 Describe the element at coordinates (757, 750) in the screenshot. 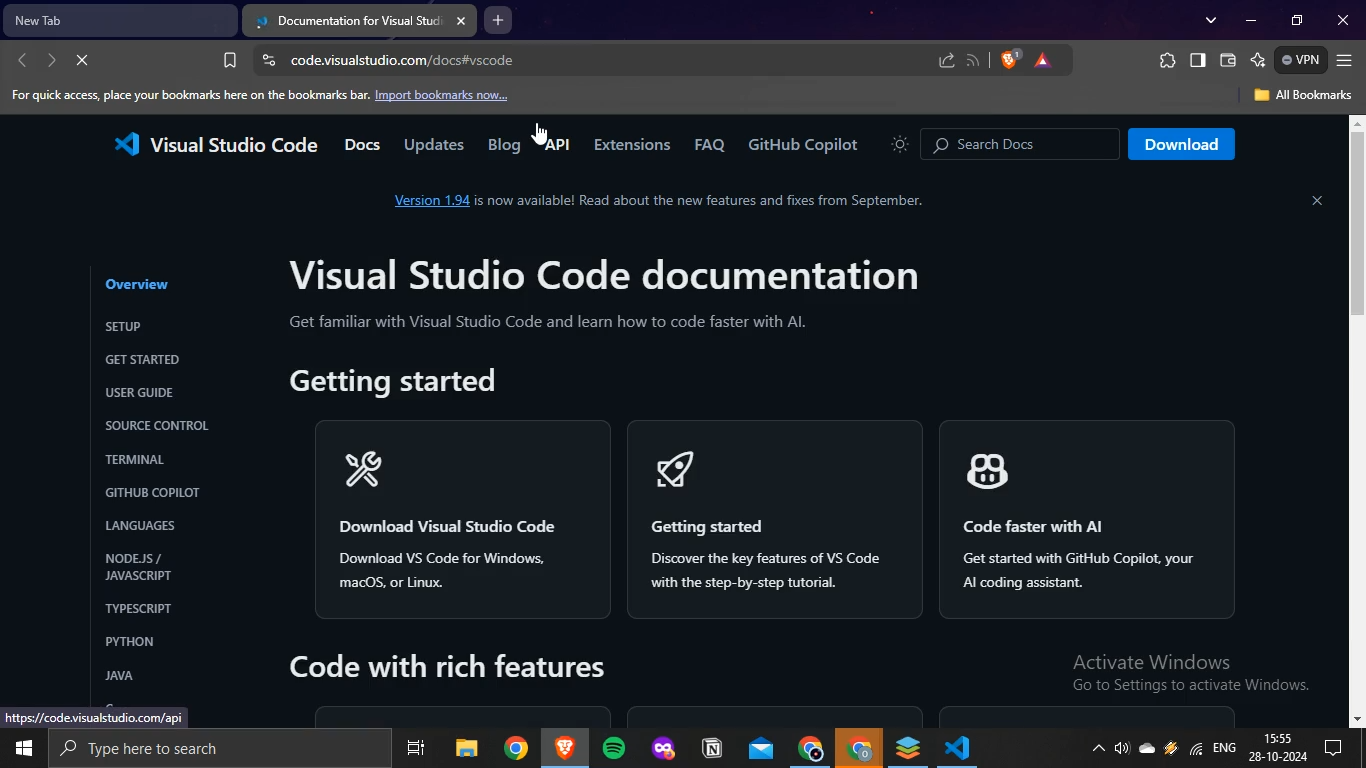

I see `outlook` at that location.